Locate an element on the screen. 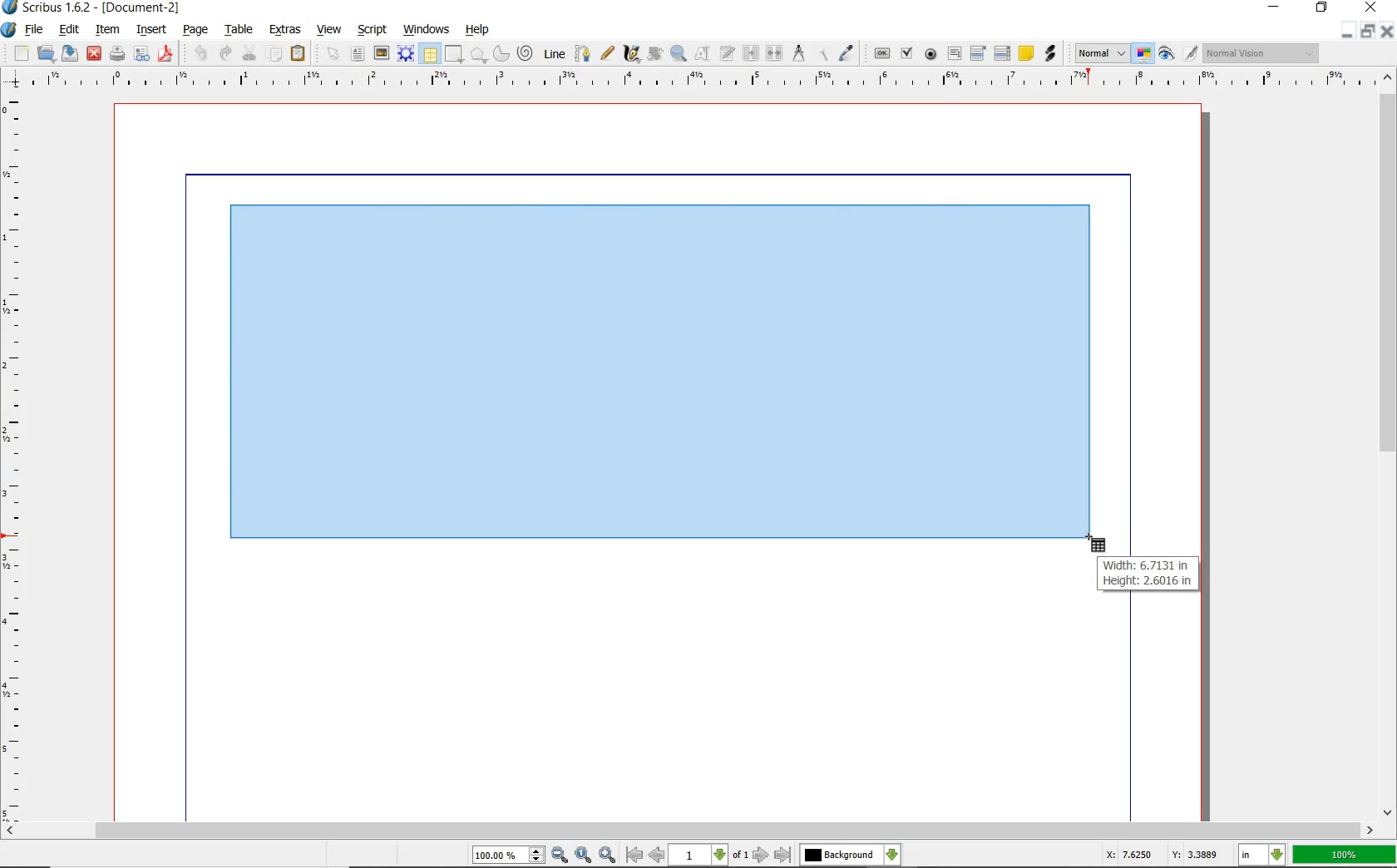  windows is located at coordinates (428, 31).